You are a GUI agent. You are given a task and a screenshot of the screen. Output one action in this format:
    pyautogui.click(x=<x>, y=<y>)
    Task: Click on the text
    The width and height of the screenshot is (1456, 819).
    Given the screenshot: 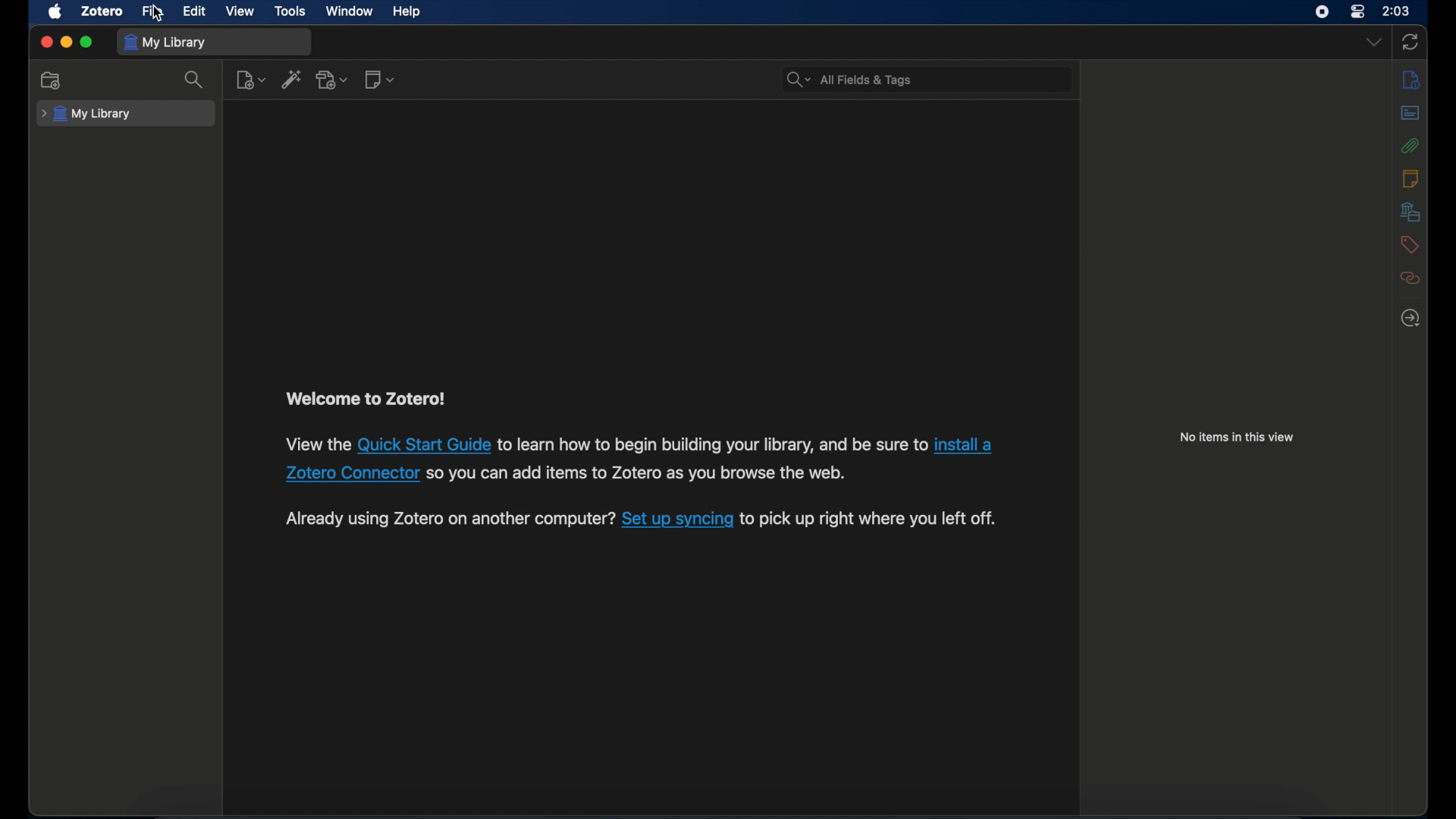 What is the action you would take?
    pyautogui.click(x=872, y=519)
    